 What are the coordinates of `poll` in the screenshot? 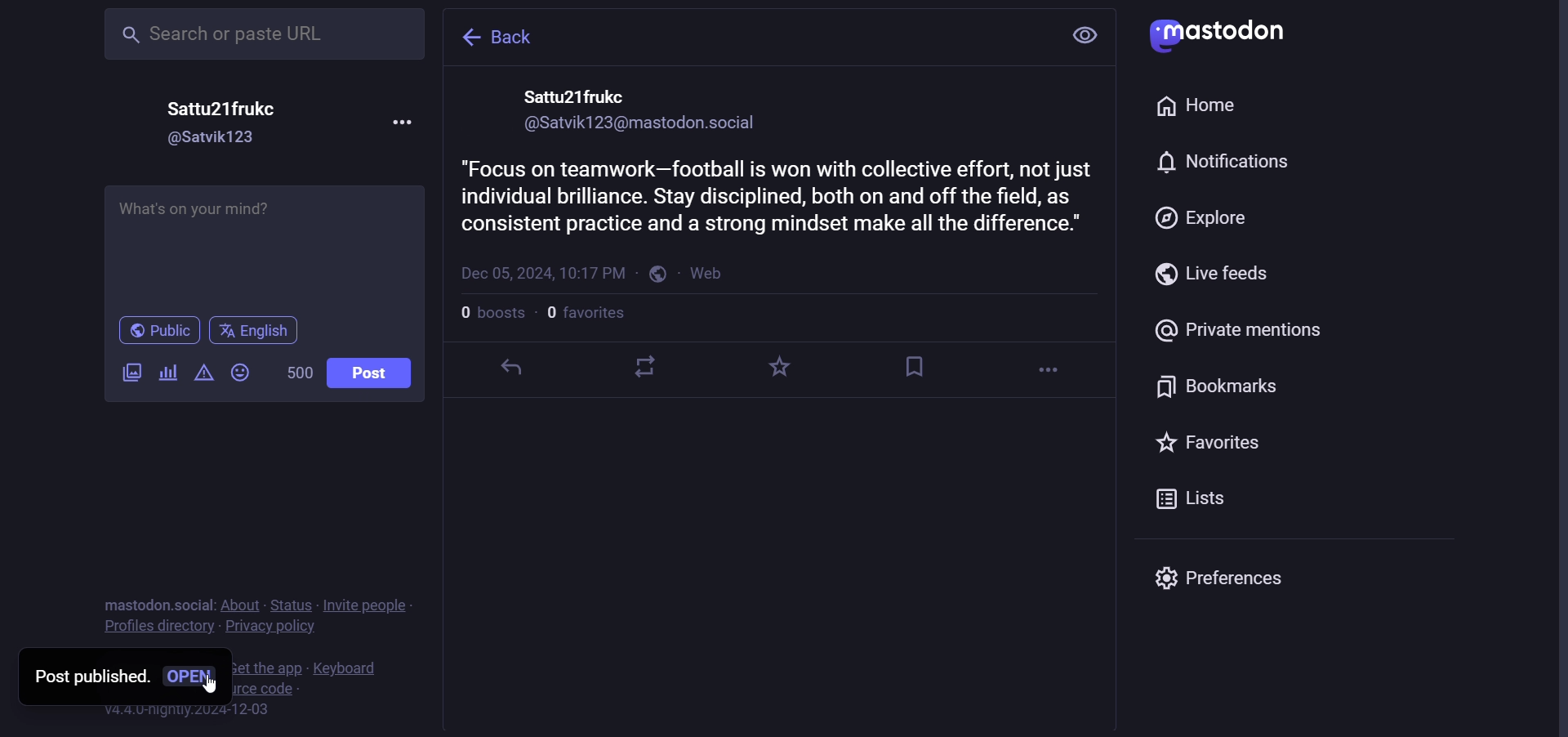 It's located at (164, 377).